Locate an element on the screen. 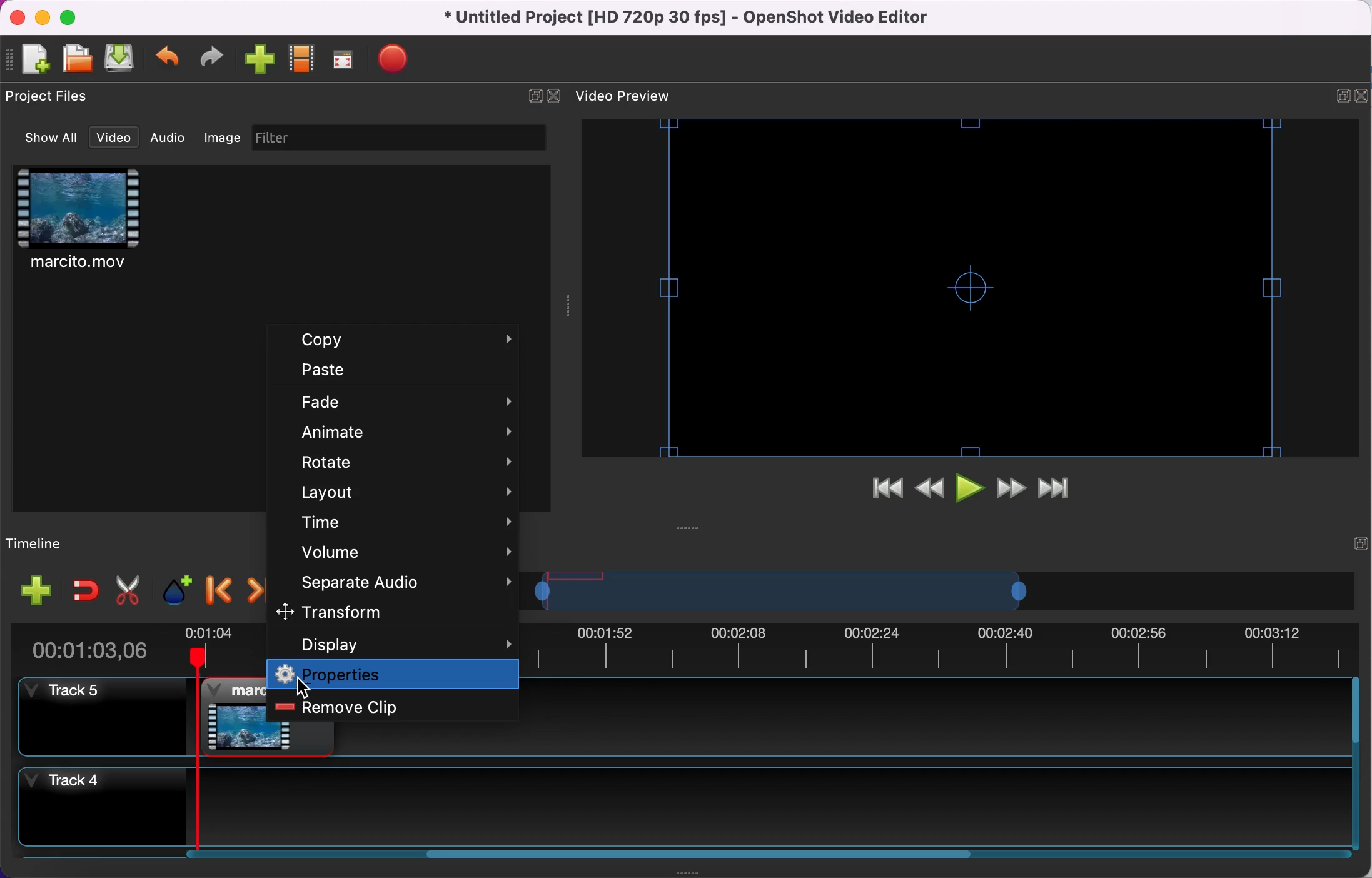 Image resolution: width=1372 pixels, height=878 pixels. separate audio is located at coordinates (395, 583).